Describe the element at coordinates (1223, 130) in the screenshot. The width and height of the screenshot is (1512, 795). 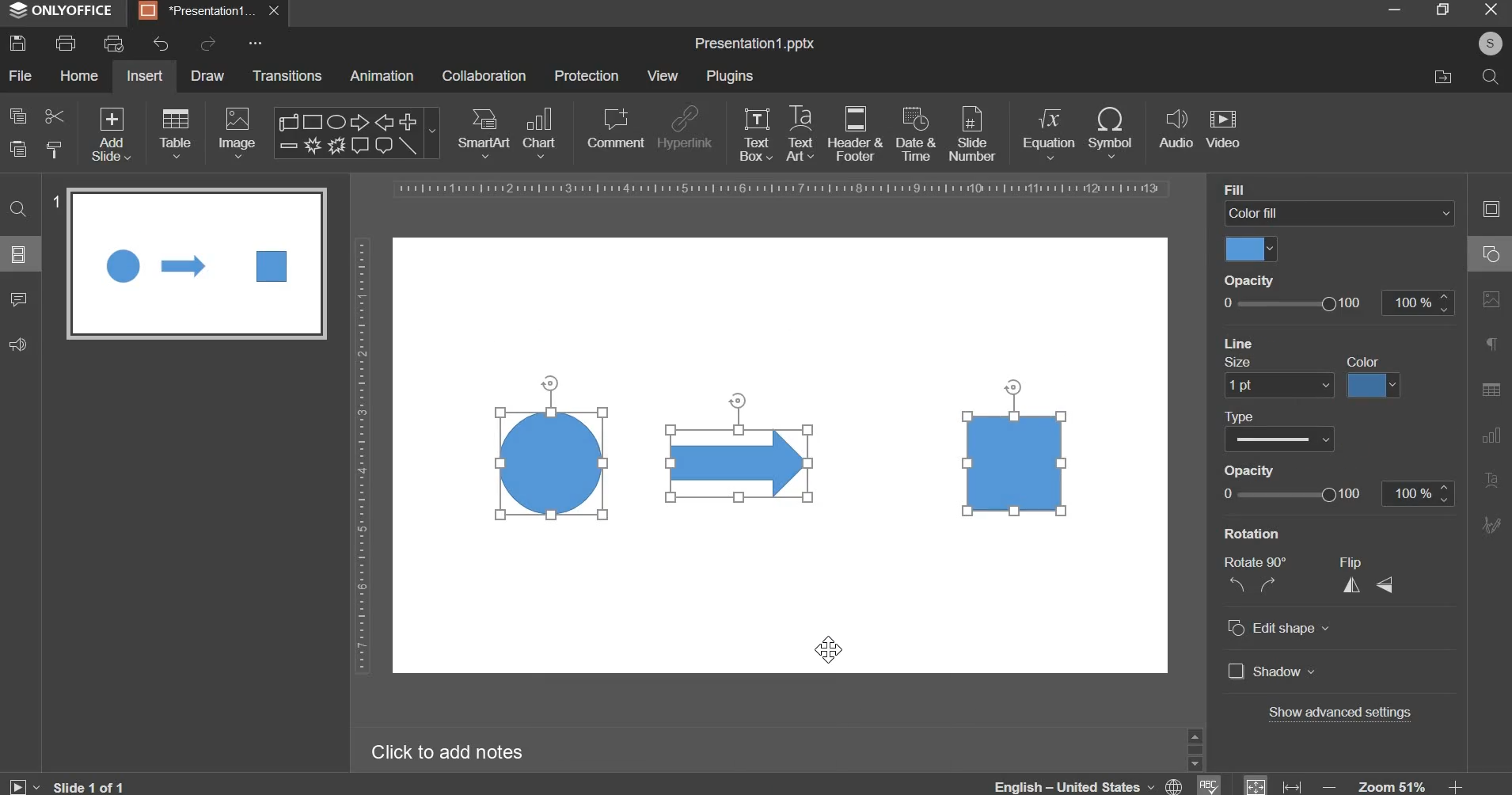
I see `video` at that location.